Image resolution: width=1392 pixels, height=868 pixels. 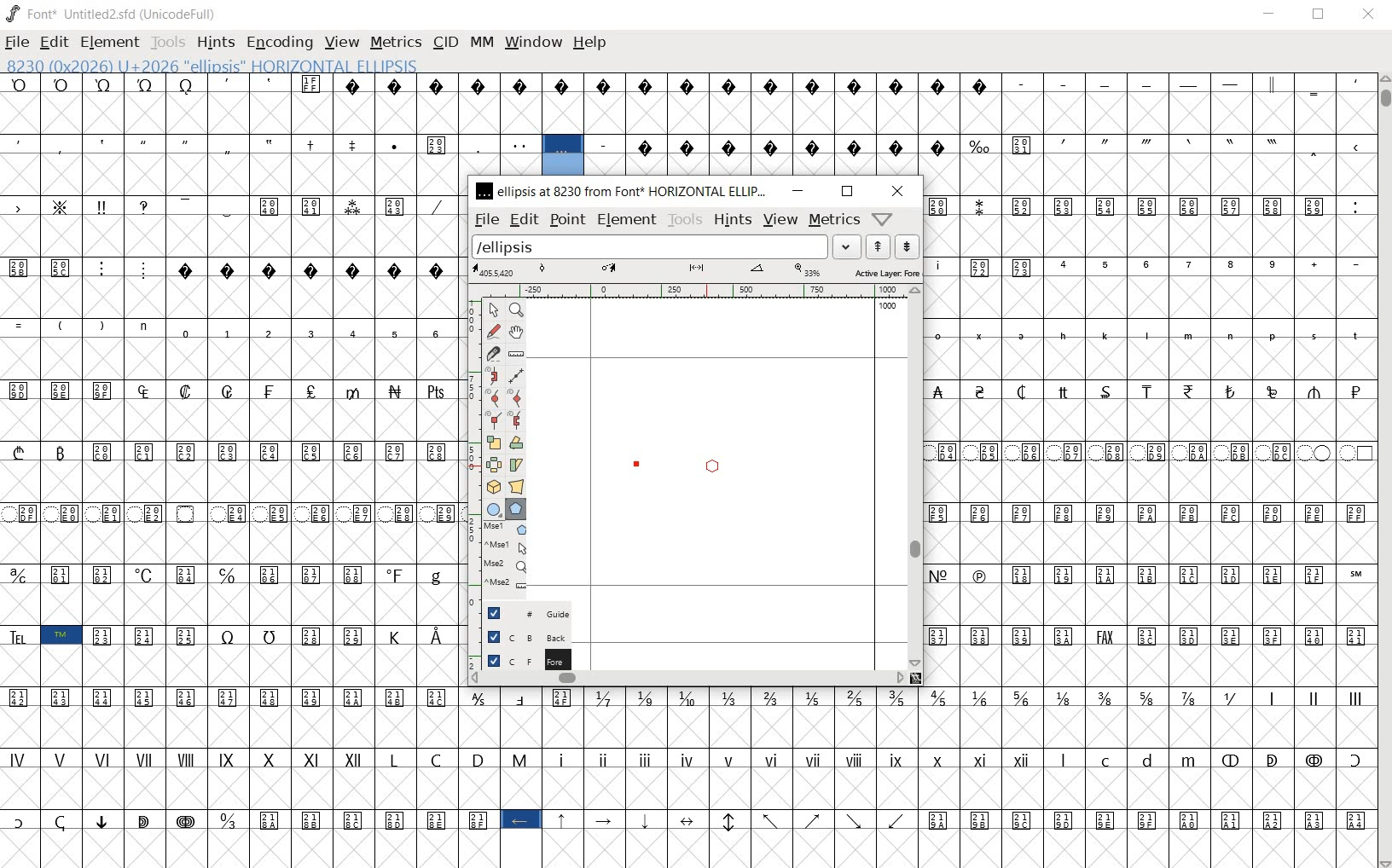 What do you see at coordinates (732, 219) in the screenshot?
I see `hints` at bounding box center [732, 219].